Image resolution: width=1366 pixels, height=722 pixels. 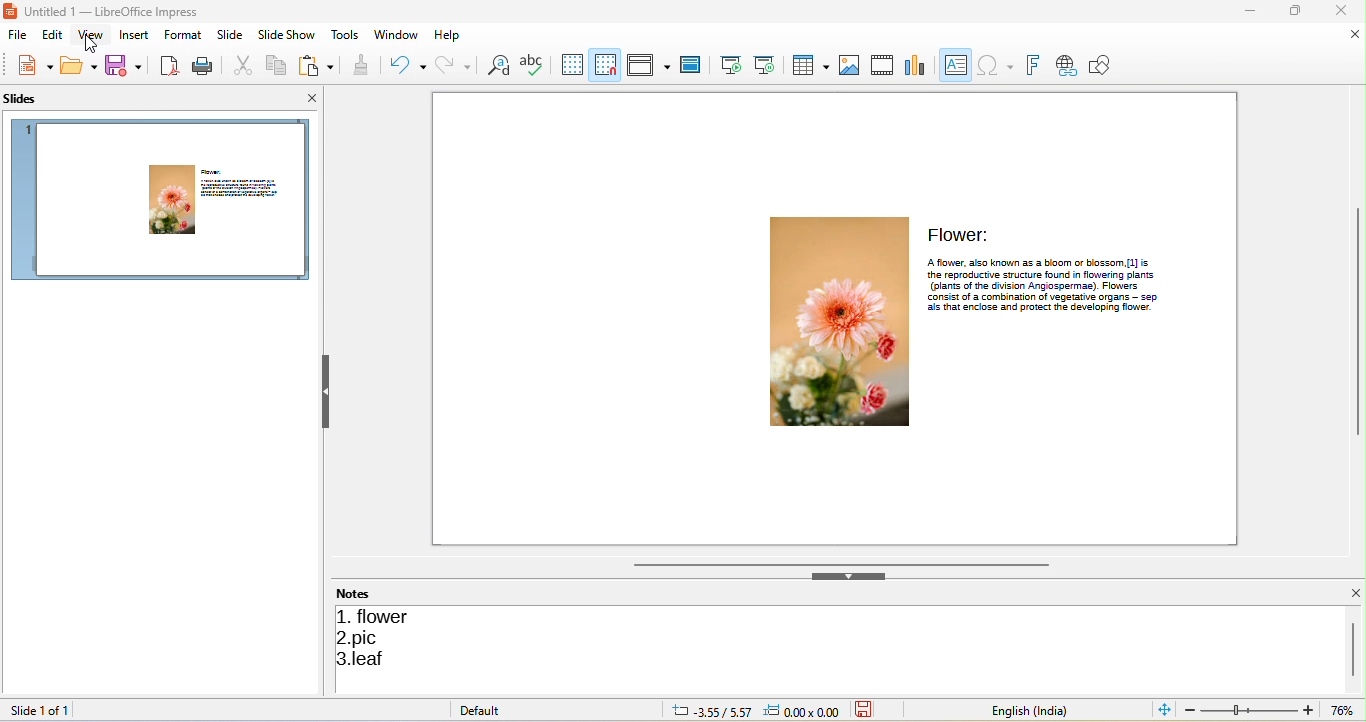 What do you see at coordinates (1346, 11) in the screenshot?
I see `close` at bounding box center [1346, 11].